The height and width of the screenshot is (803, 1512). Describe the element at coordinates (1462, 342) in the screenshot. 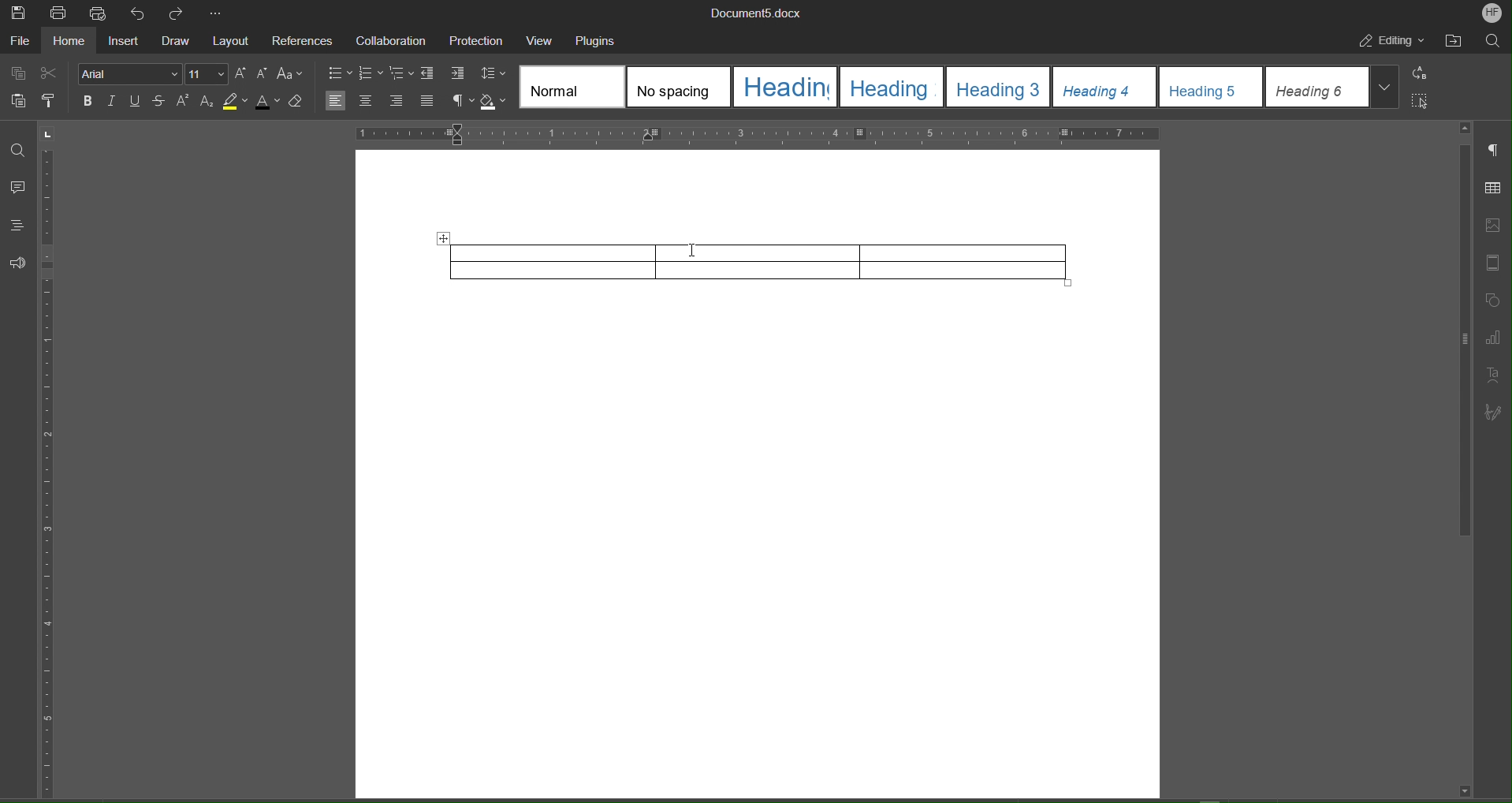

I see `scroll bar` at that location.